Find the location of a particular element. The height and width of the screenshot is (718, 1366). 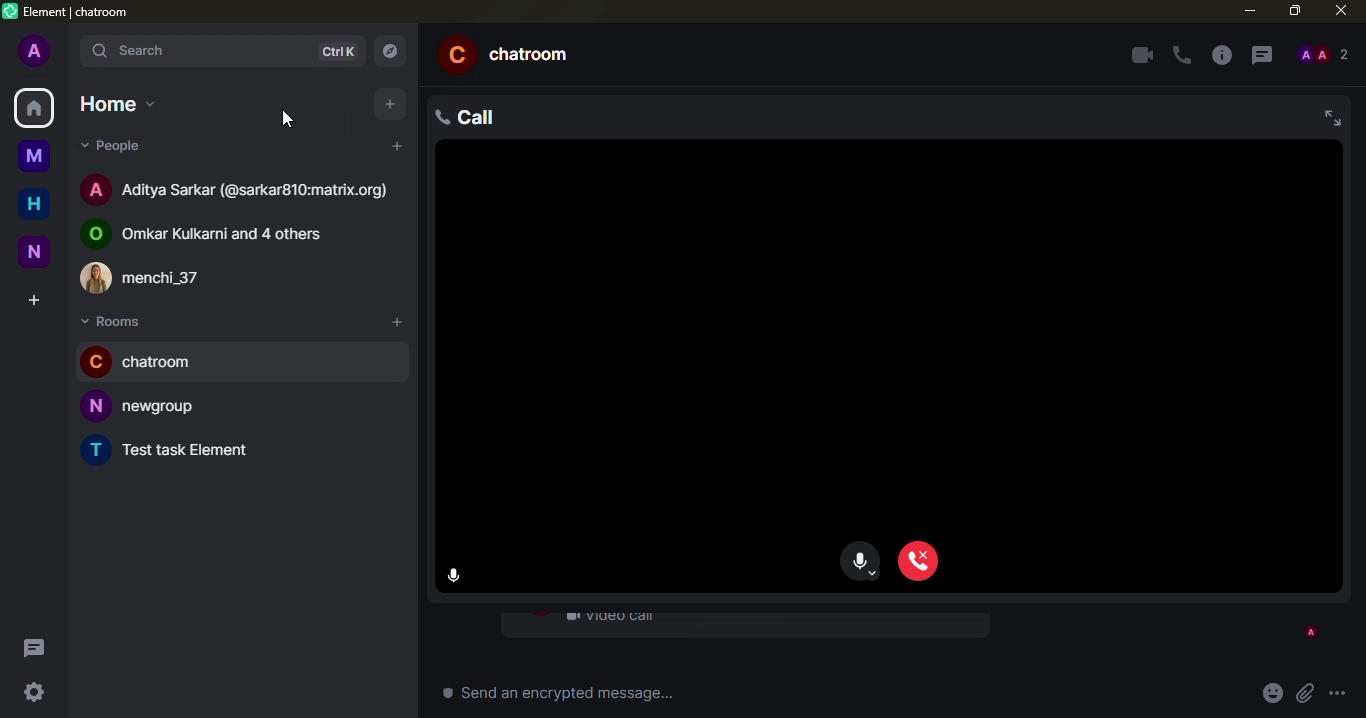

newgroup is located at coordinates (144, 406).